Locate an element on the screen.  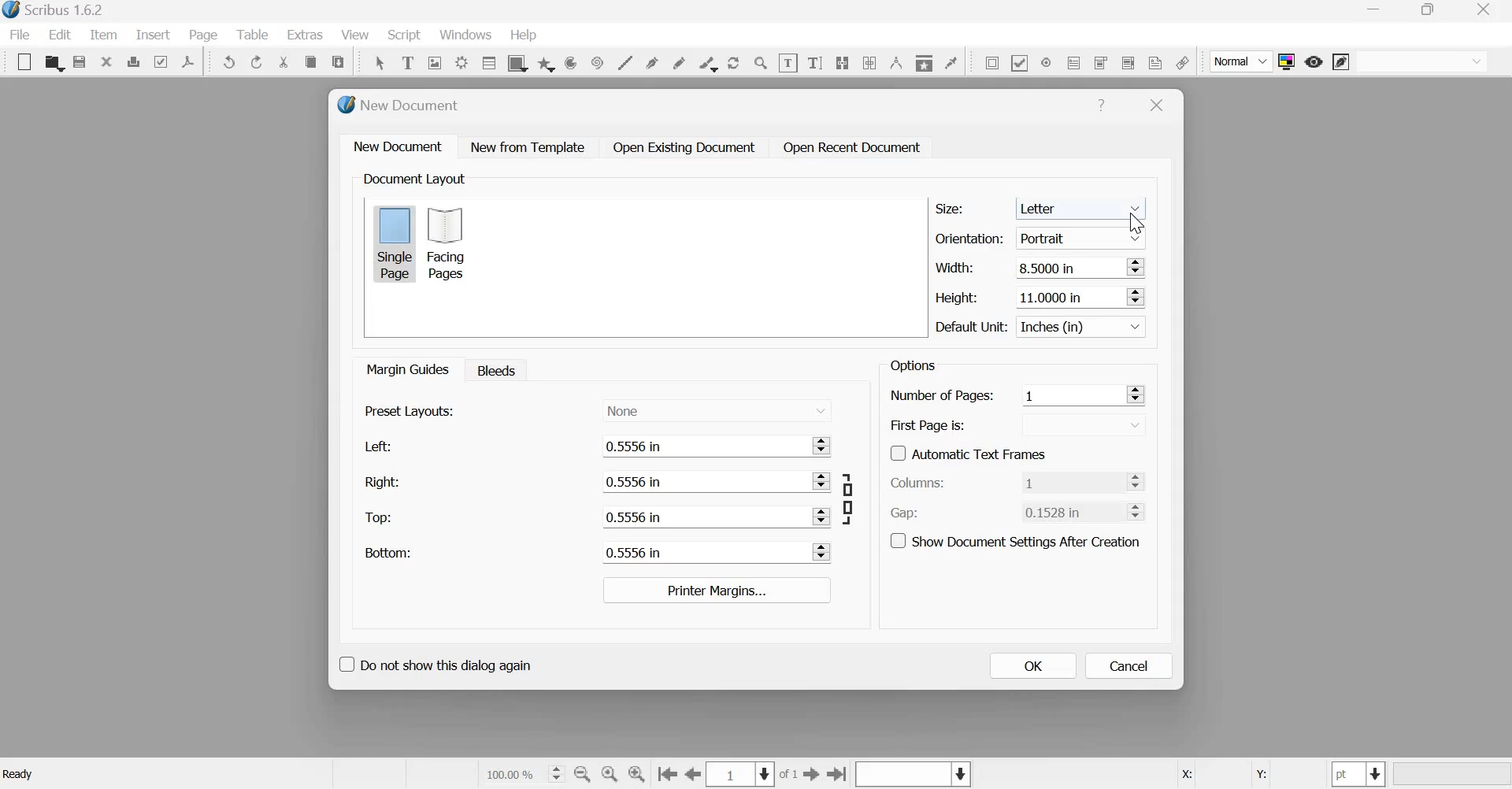
Orientation:  is located at coordinates (969, 237).